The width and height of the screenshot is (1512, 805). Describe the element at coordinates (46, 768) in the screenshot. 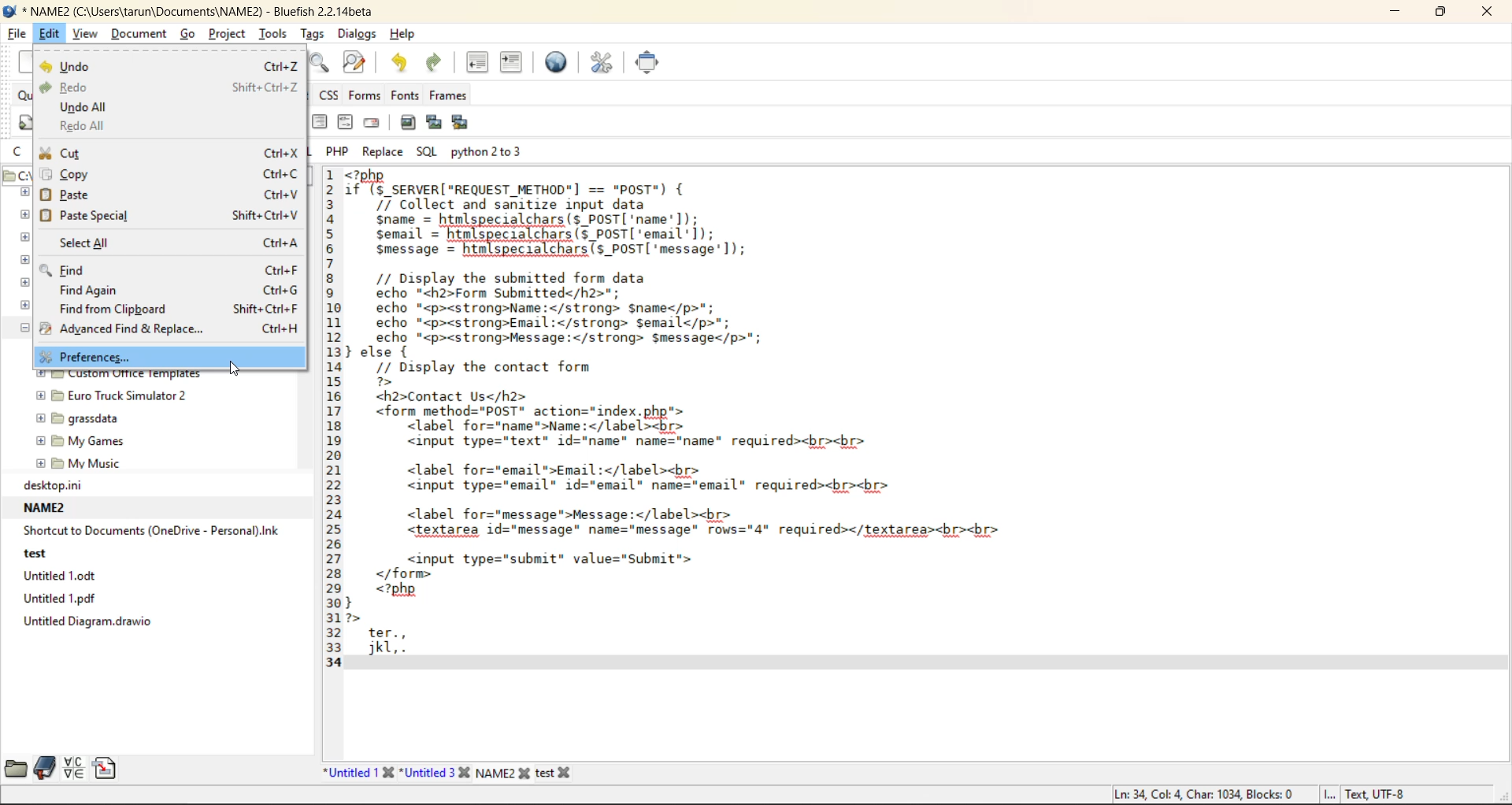

I see `bookmarks` at that location.